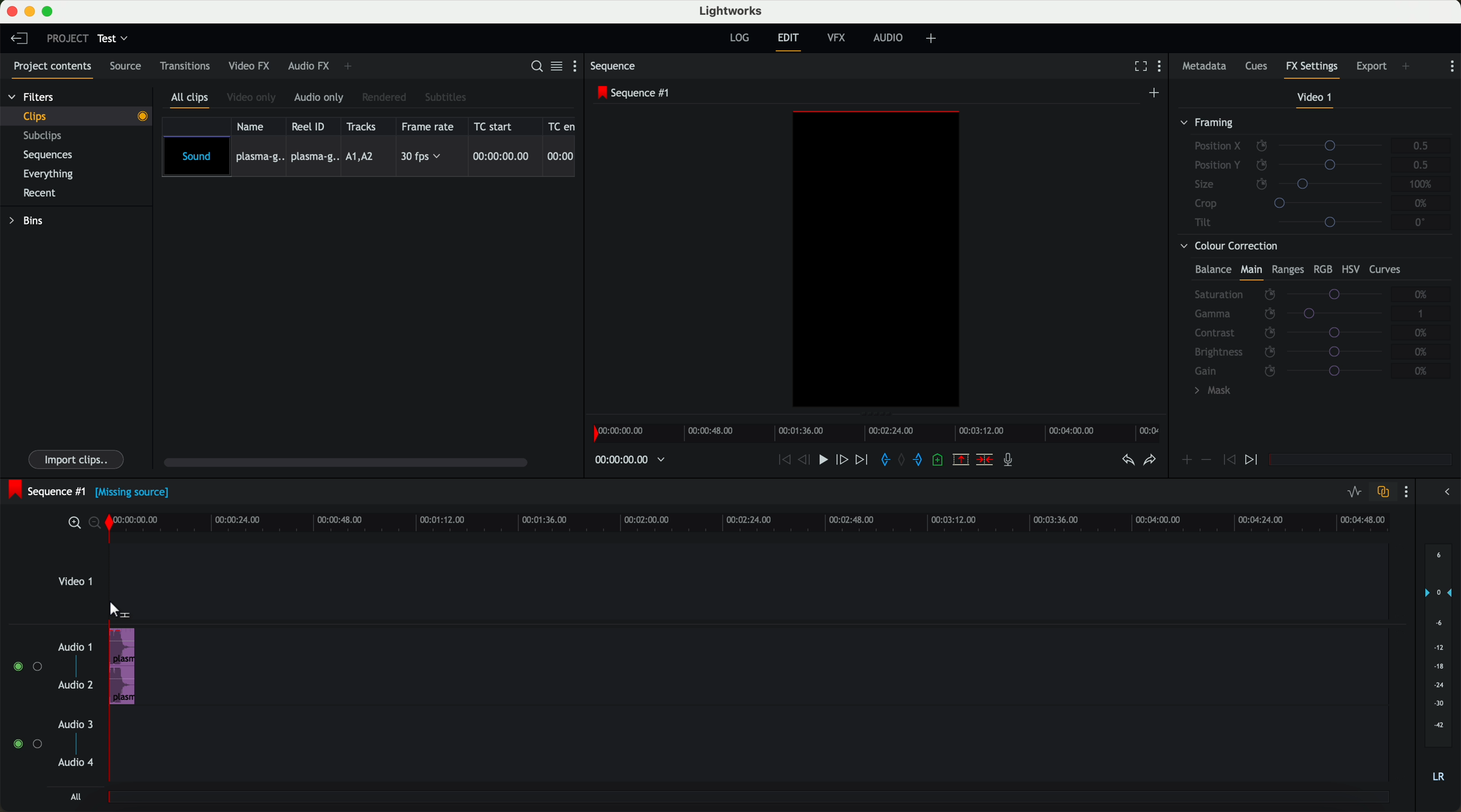 Image resolution: width=1461 pixels, height=812 pixels. Describe the element at coordinates (983, 460) in the screenshot. I see `delete/cut` at that location.